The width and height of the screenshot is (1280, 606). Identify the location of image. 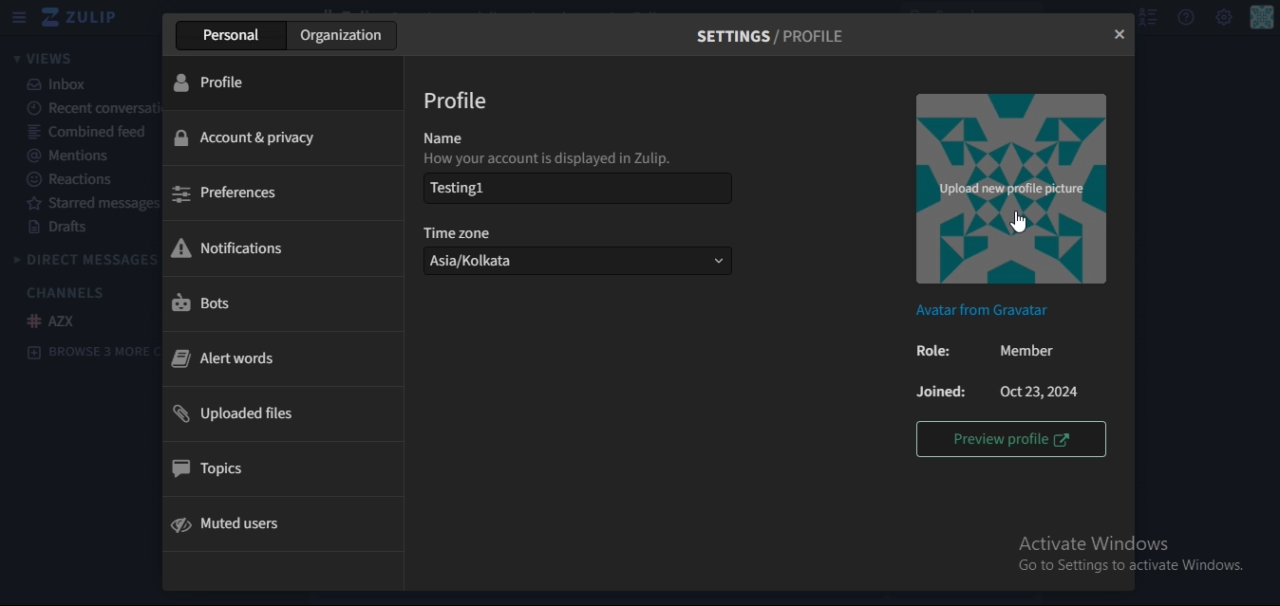
(1014, 190).